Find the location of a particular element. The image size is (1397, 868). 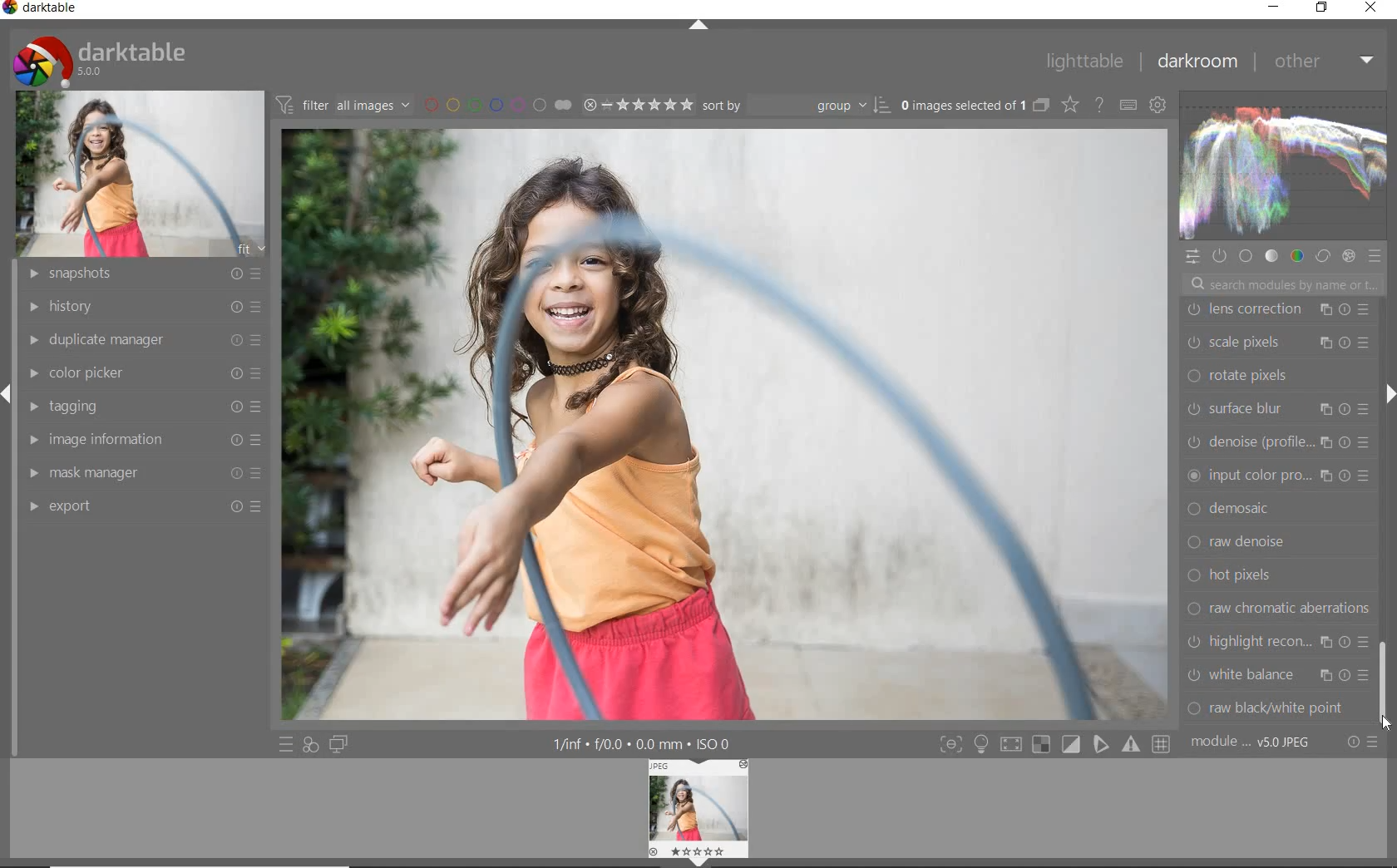

expand/collapse is located at coordinates (1385, 397).